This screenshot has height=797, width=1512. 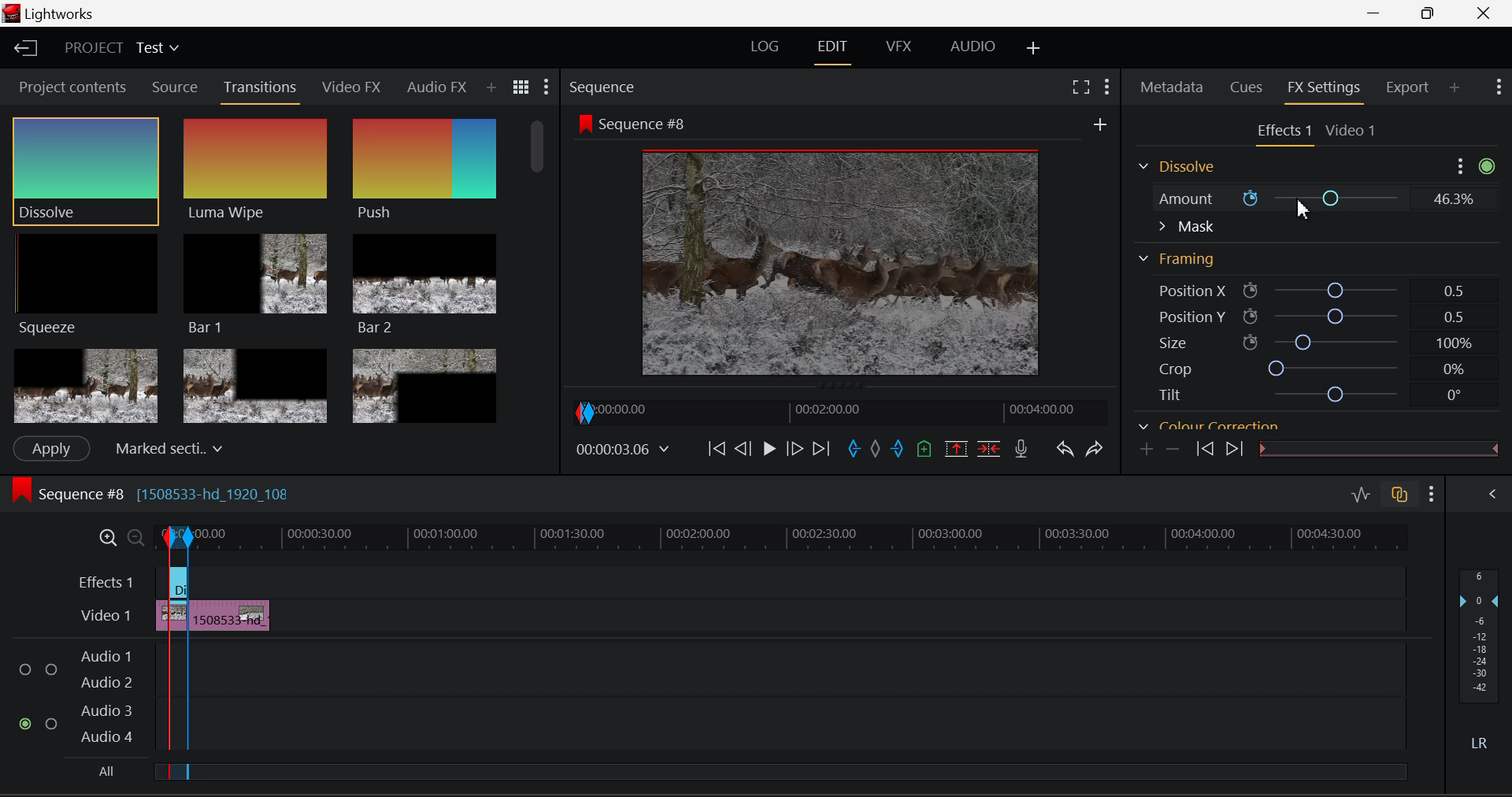 What do you see at coordinates (165, 447) in the screenshot?
I see `Centered here` at bounding box center [165, 447].